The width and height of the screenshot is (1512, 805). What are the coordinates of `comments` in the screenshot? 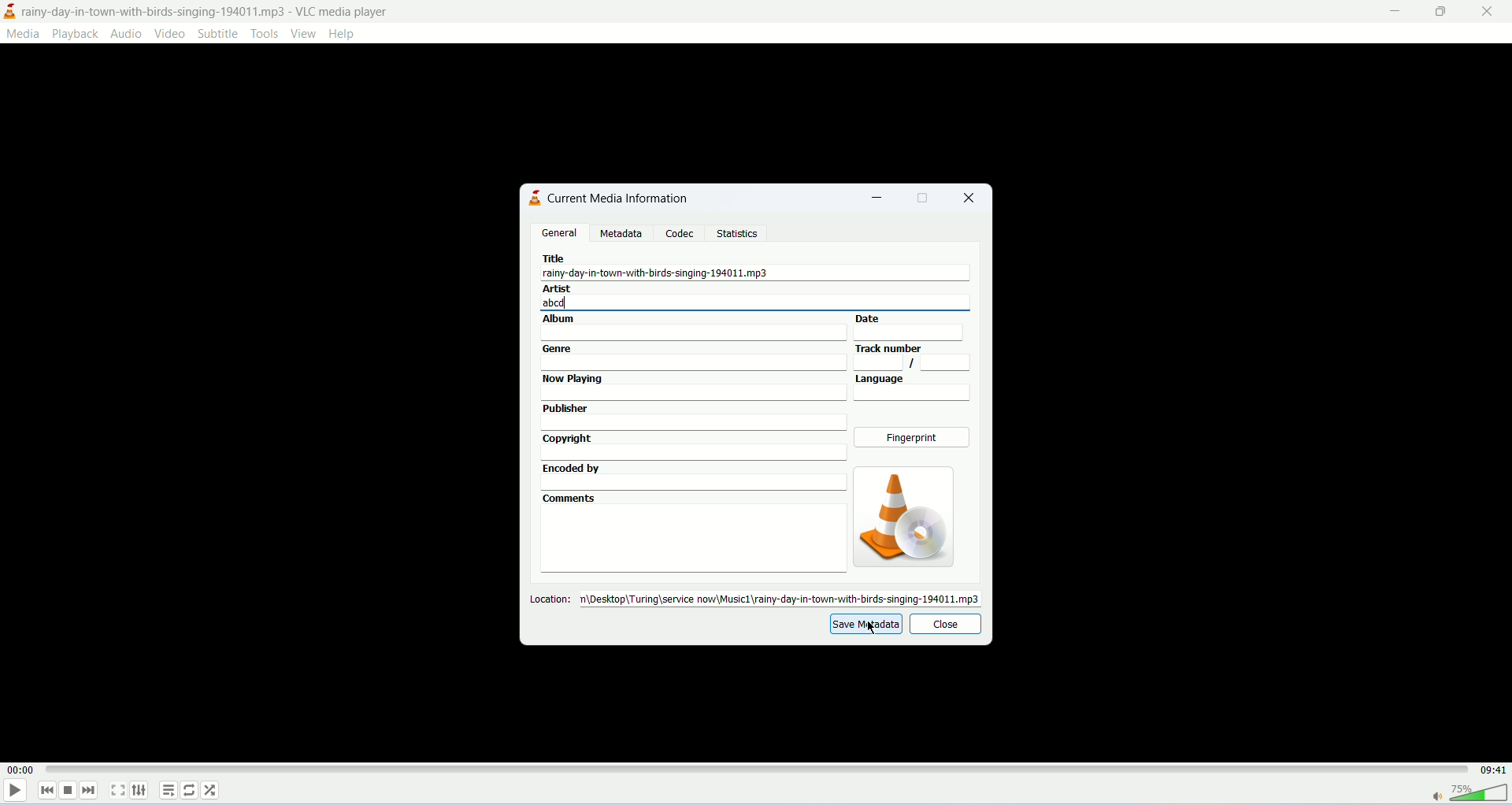 It's located at (691, 532).